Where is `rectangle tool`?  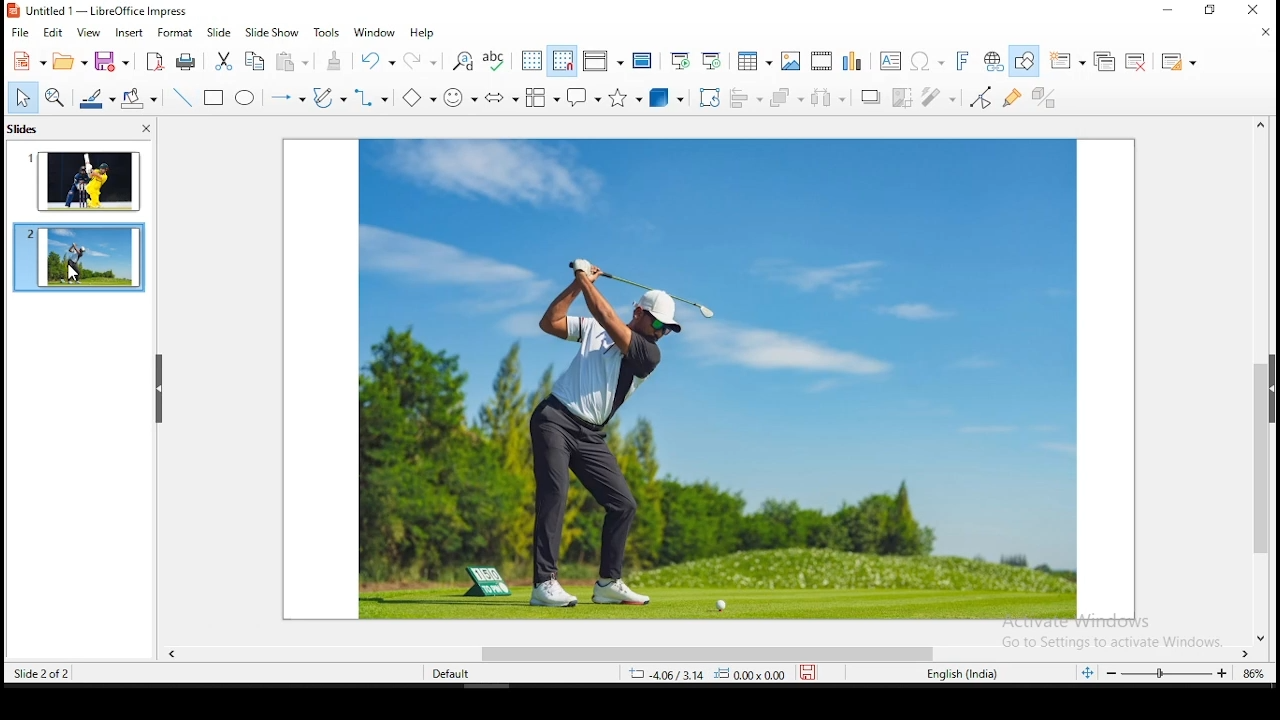
rectangle tool is located at coordinates (212, 99).